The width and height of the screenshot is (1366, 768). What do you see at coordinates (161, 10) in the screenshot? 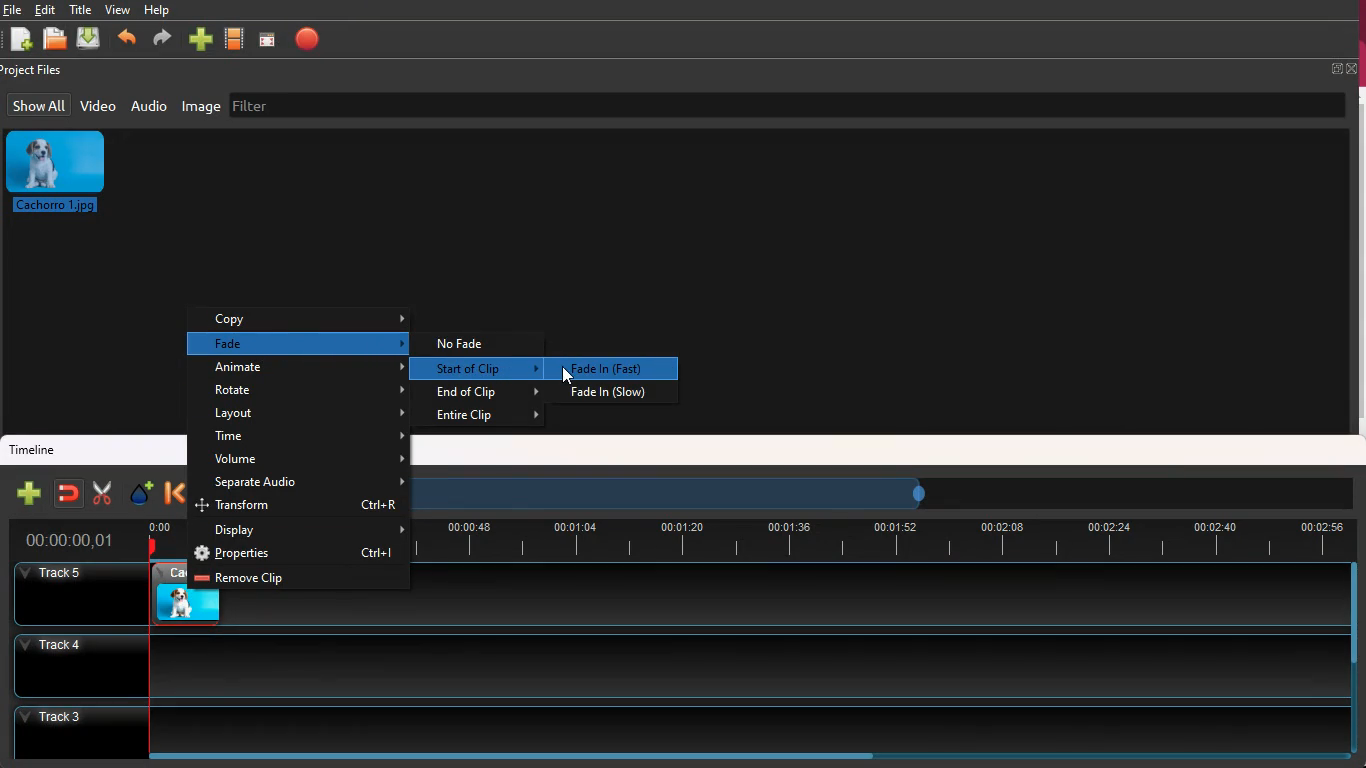
I see `help` at bounding box center [161, 10].